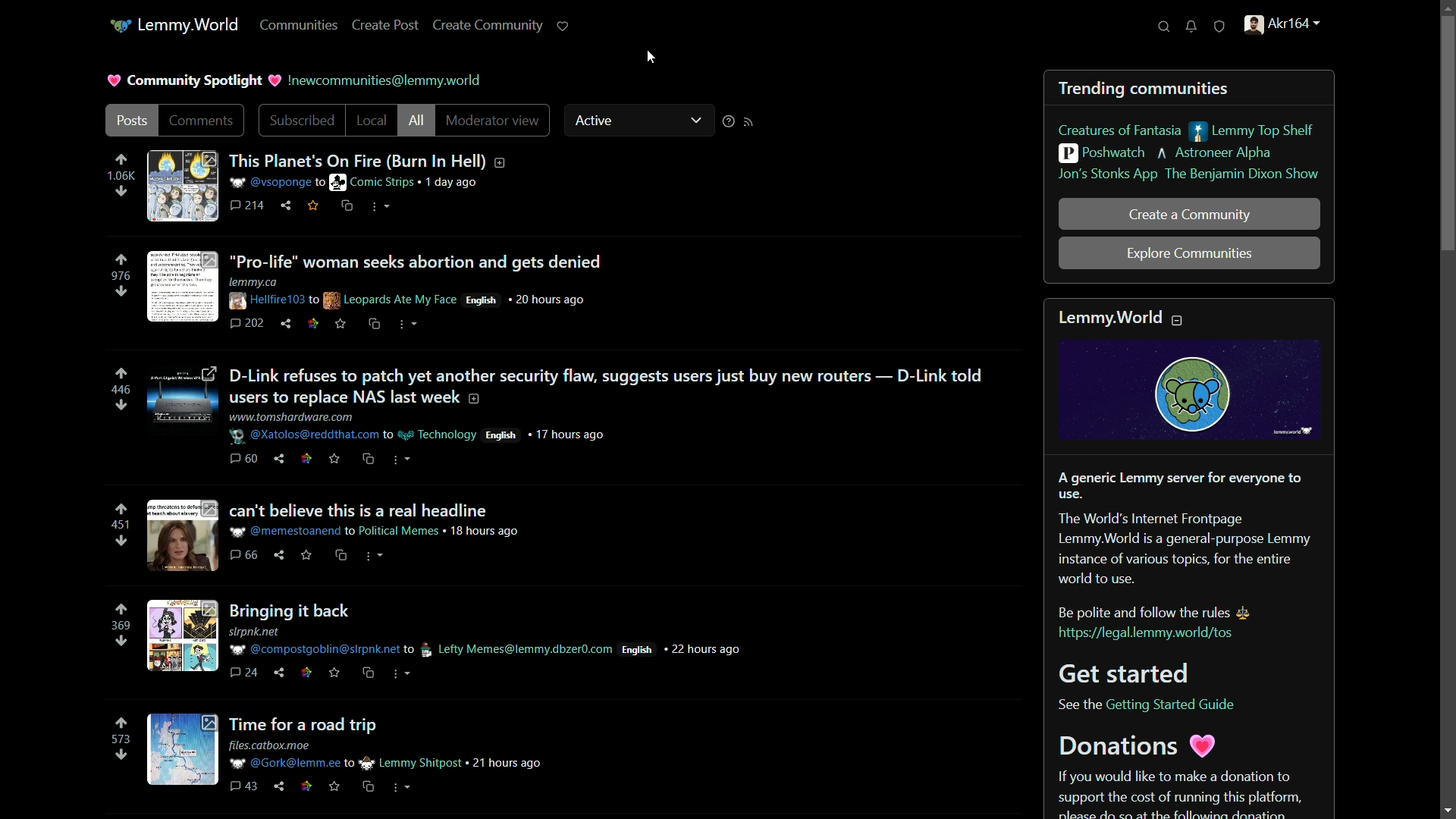  Describe the element at coordinates (121, 193) in the screenshot. I see `downvote` at that location.